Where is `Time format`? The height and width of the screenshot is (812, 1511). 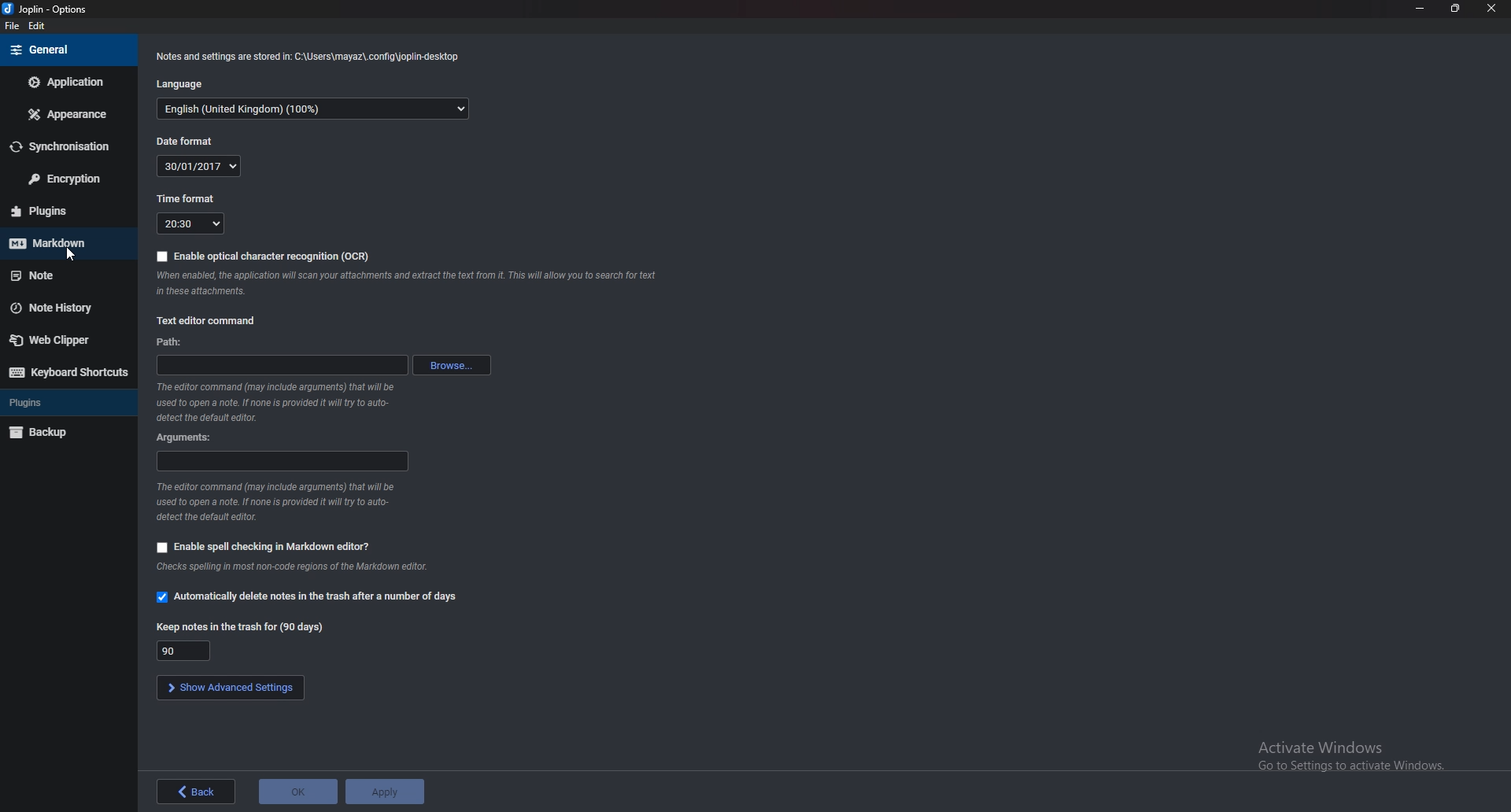
Time format is located at coordinates (187, 198).